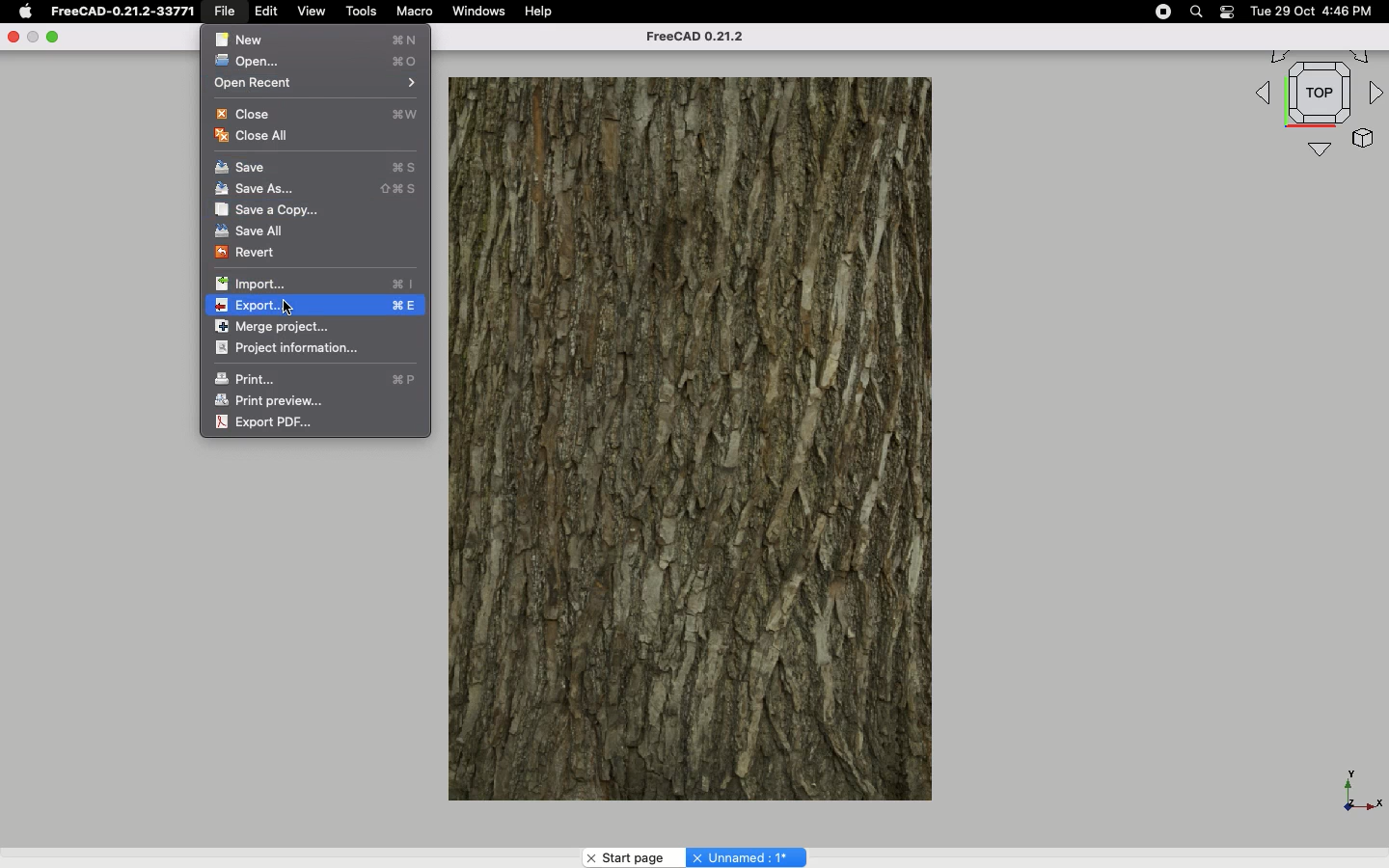 This screenshot has height=868, width=1389. I want to click on Save as, so click(318, 187).